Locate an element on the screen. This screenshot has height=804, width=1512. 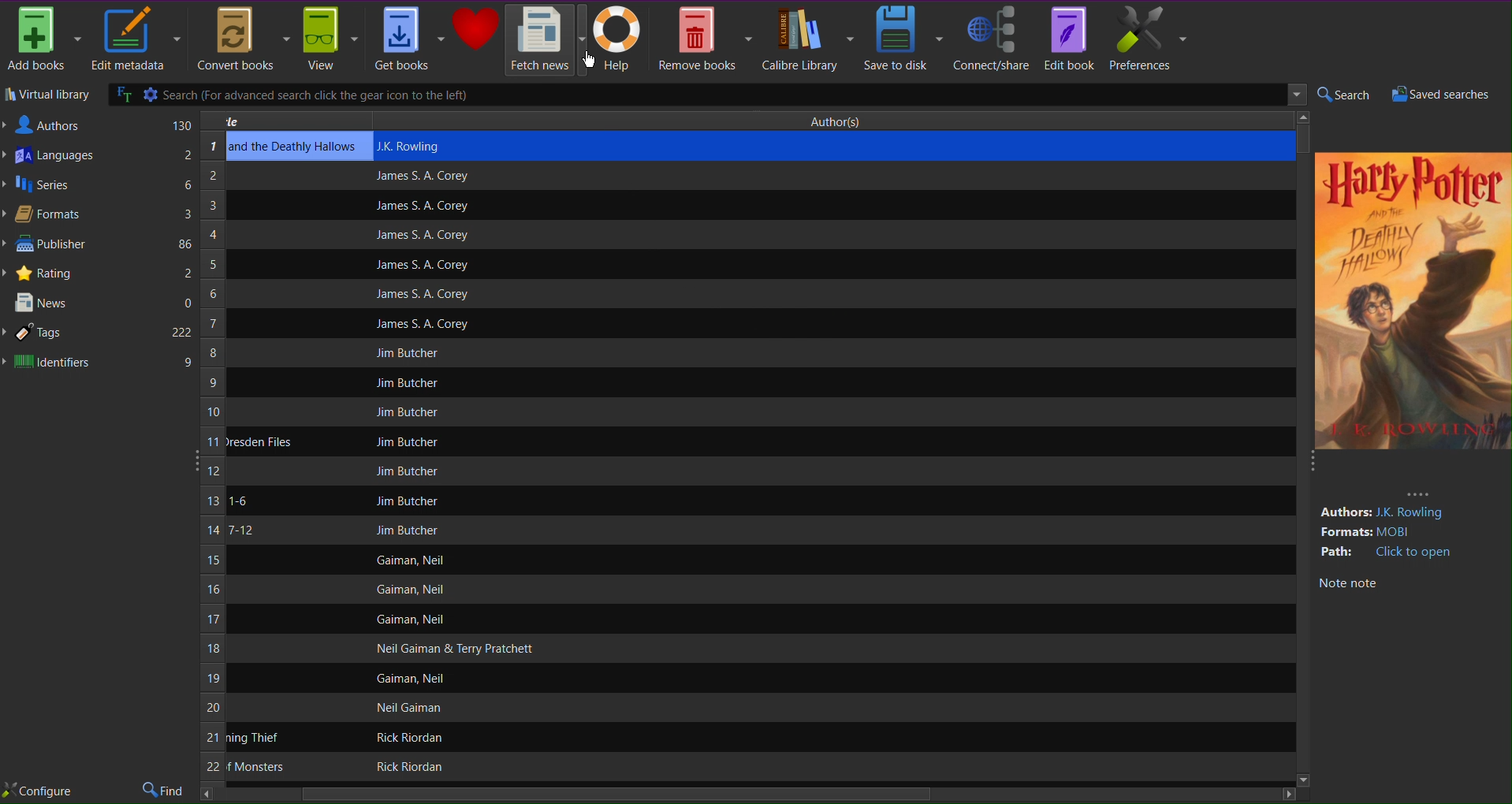
View is located at coordinates (330, 40).